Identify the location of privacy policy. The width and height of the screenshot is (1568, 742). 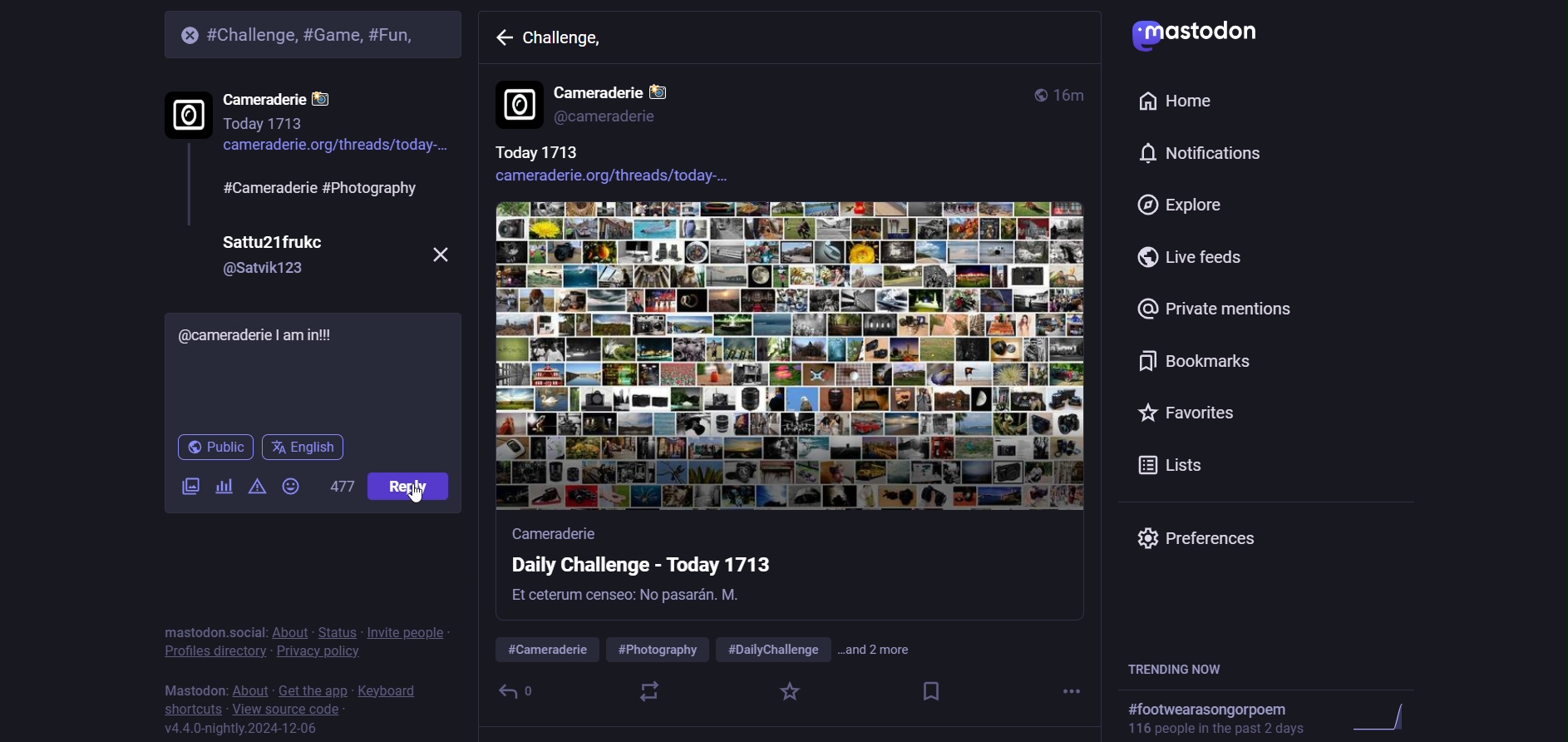
(317, 650).